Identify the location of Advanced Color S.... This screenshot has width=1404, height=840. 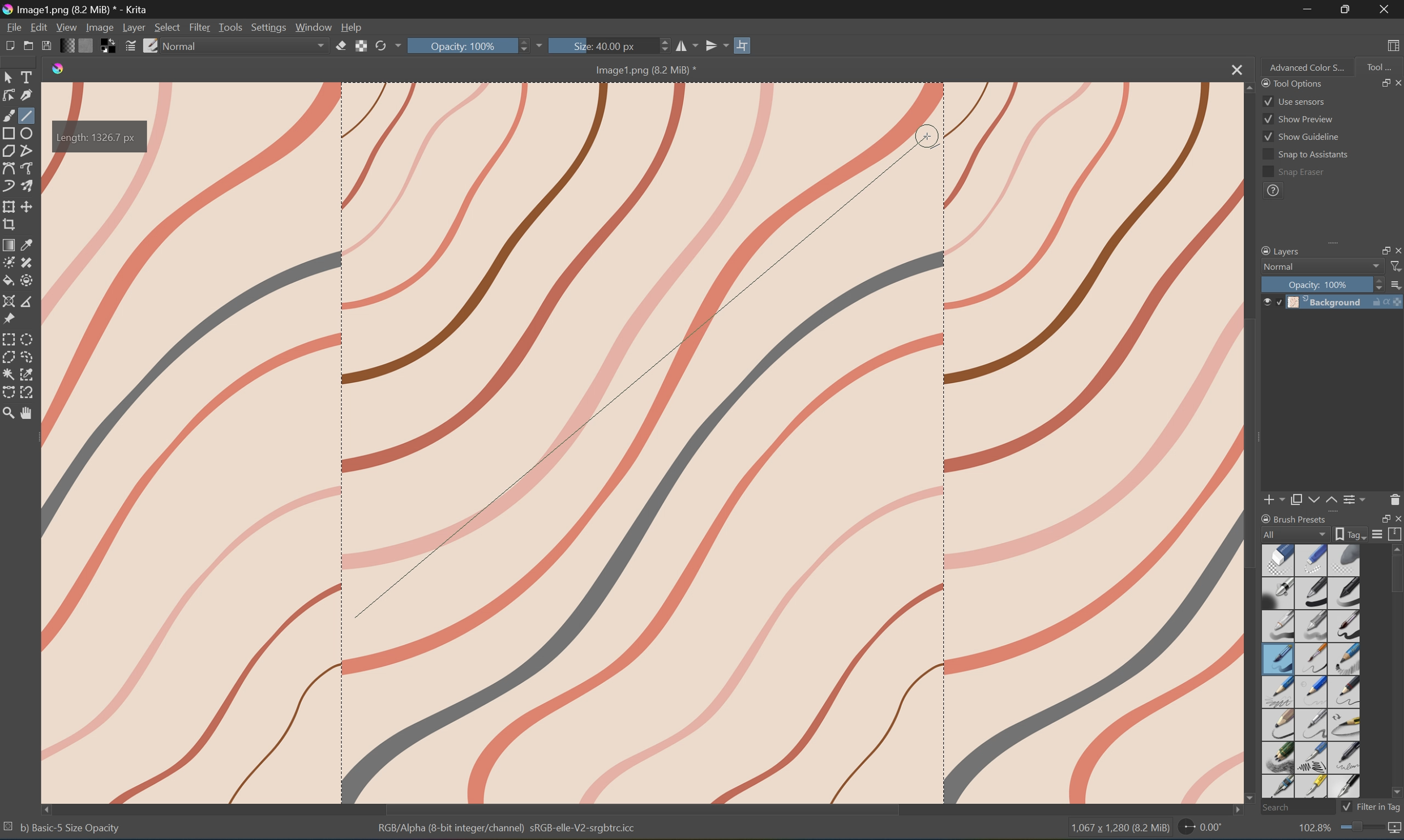
(1308, 68).